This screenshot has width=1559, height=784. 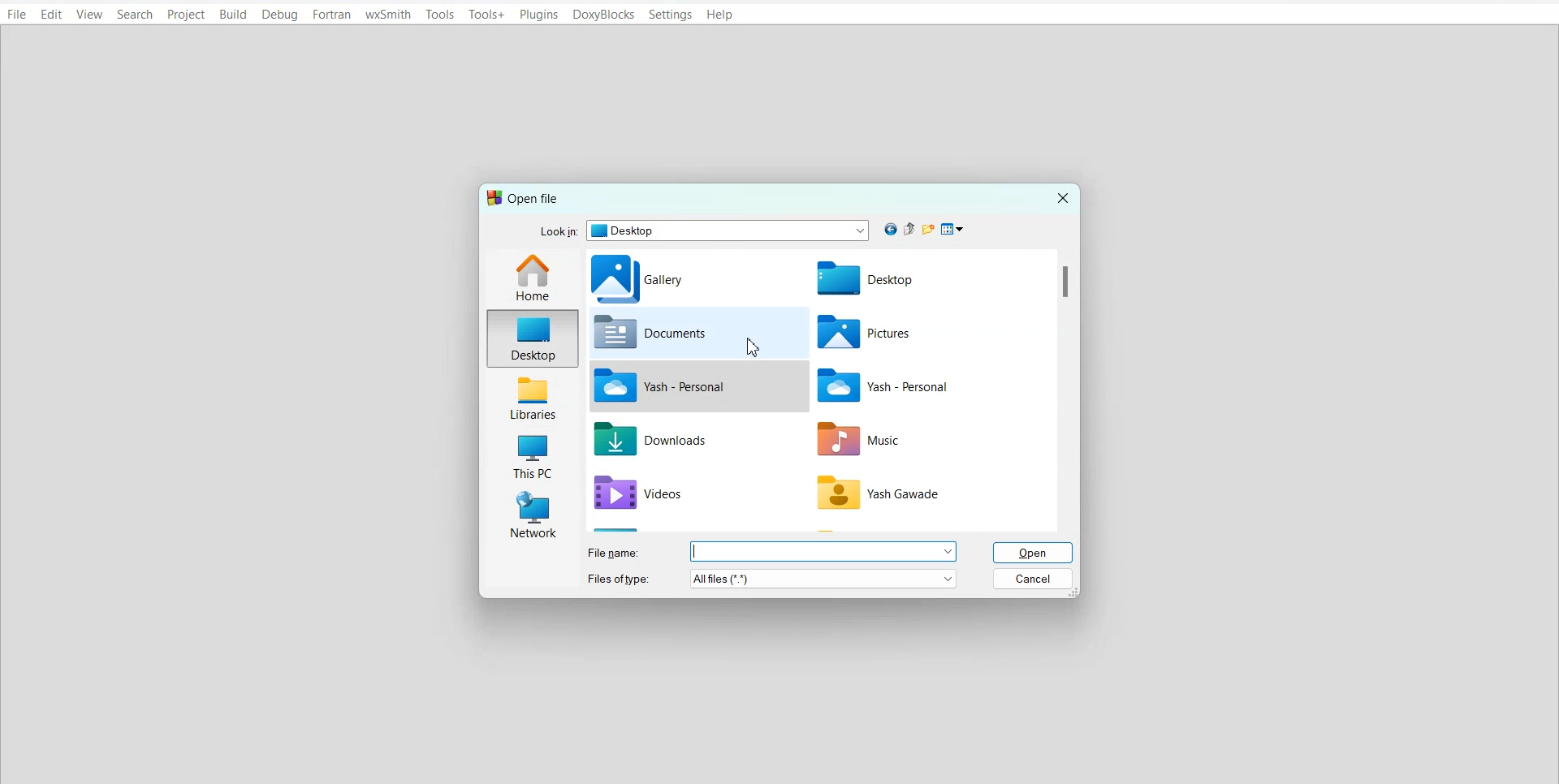 I want to click on Up one level, so click(x=909, y=230).